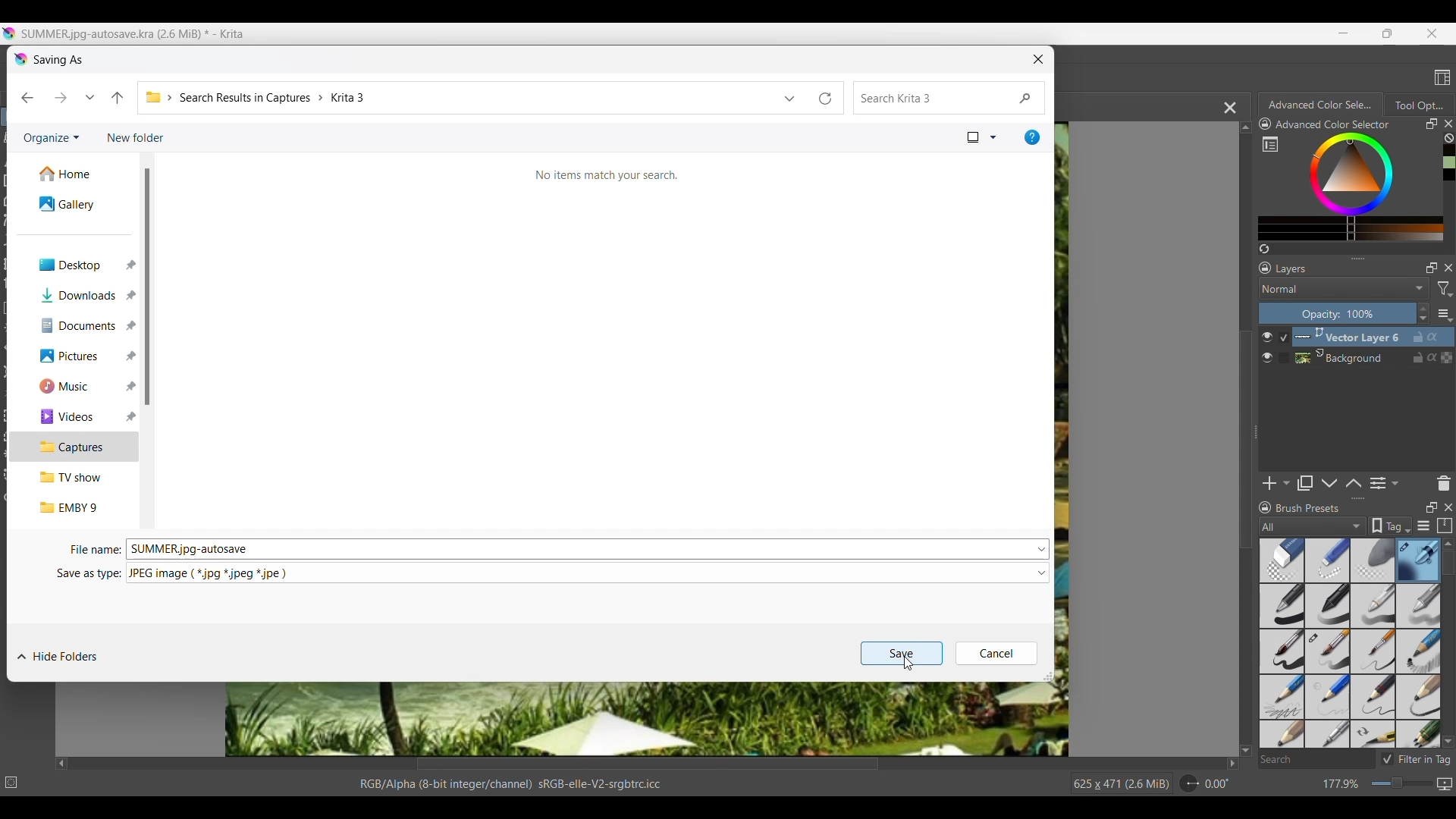  Describe the element at coordinates (89, 549) in the screenshot. I see `File Name:` at that location.